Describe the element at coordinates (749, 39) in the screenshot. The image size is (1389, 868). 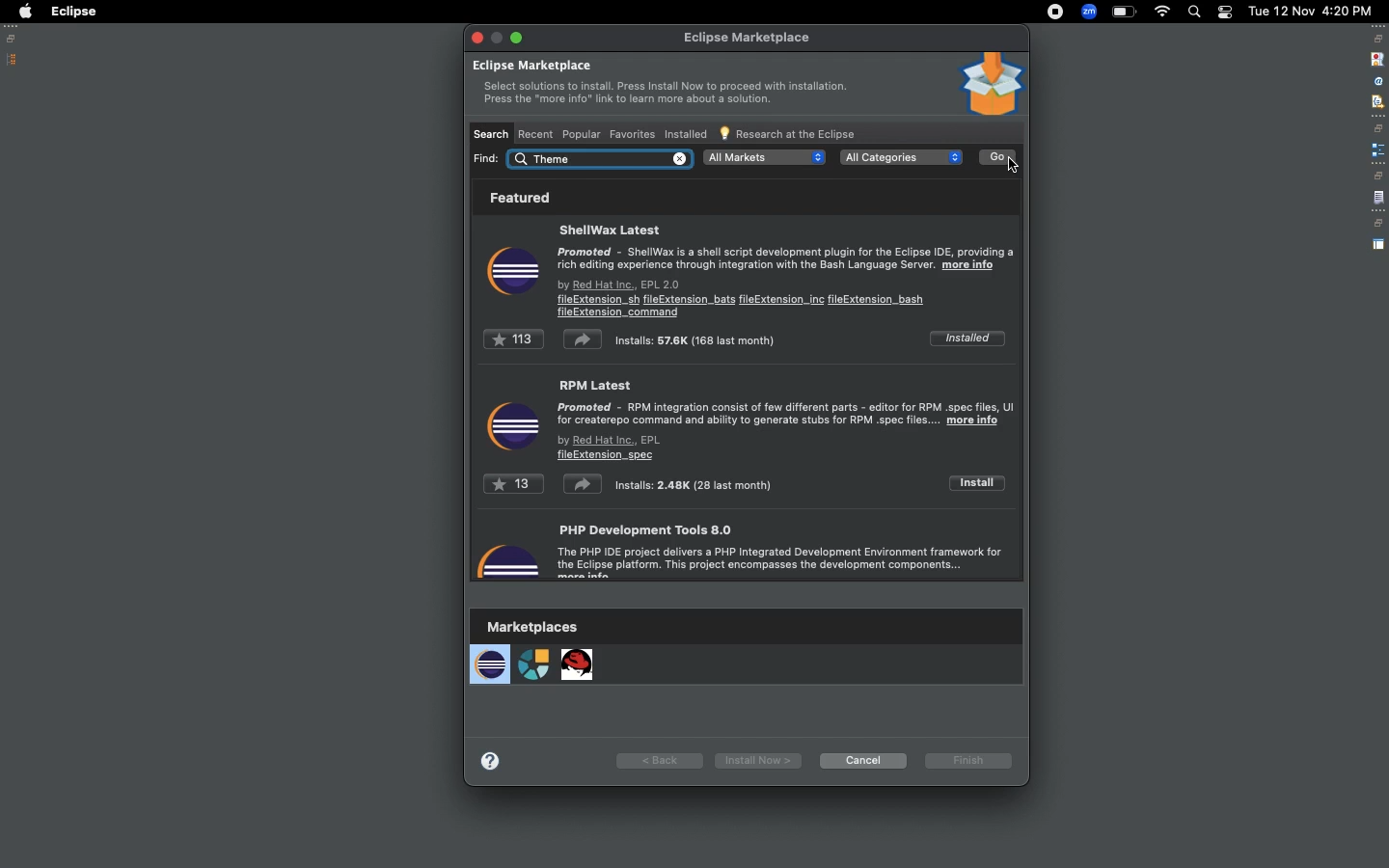
I see `eclipse marketplace` at that location.